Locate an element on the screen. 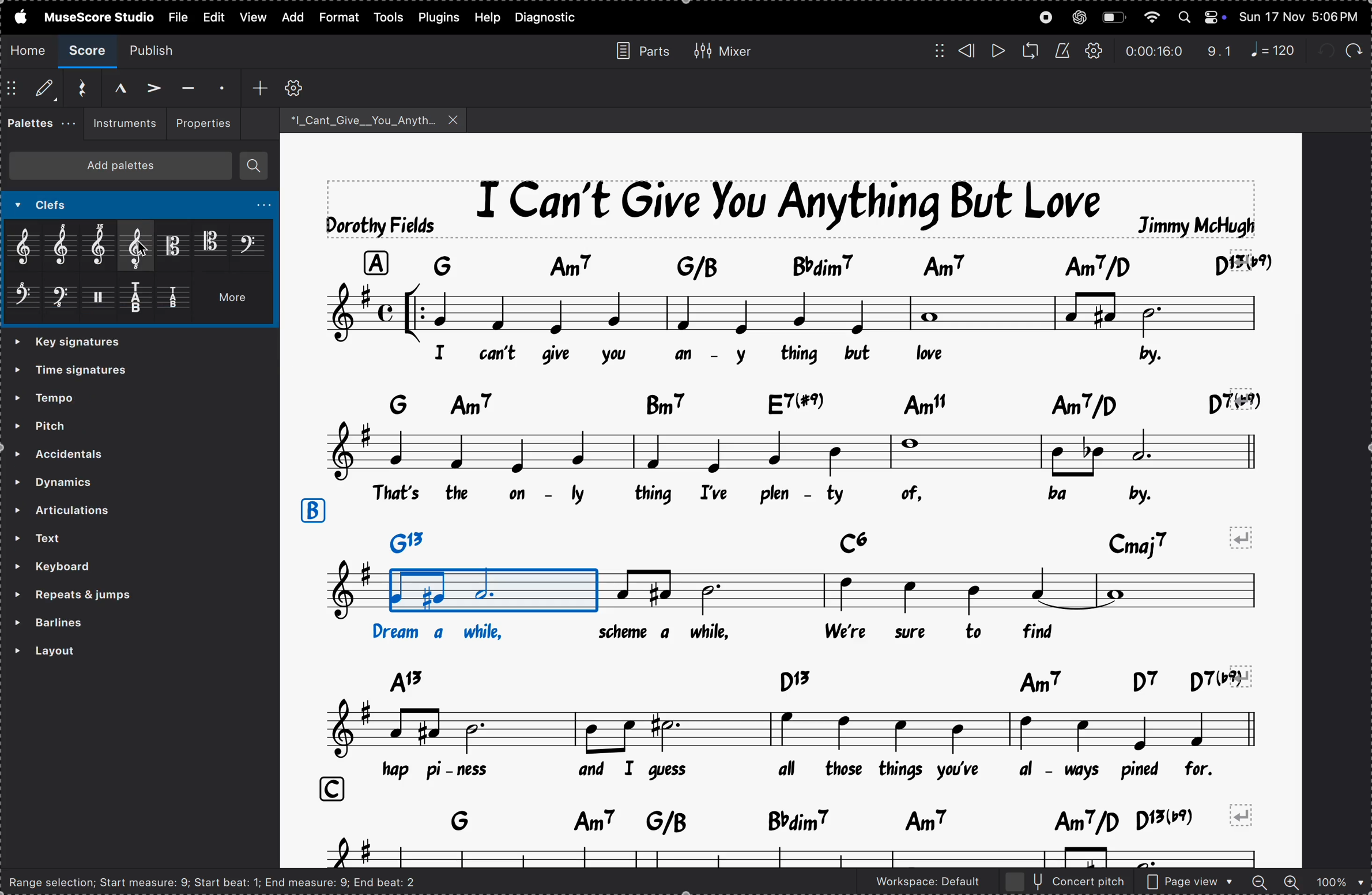  default is located at coordinates (33, 90).